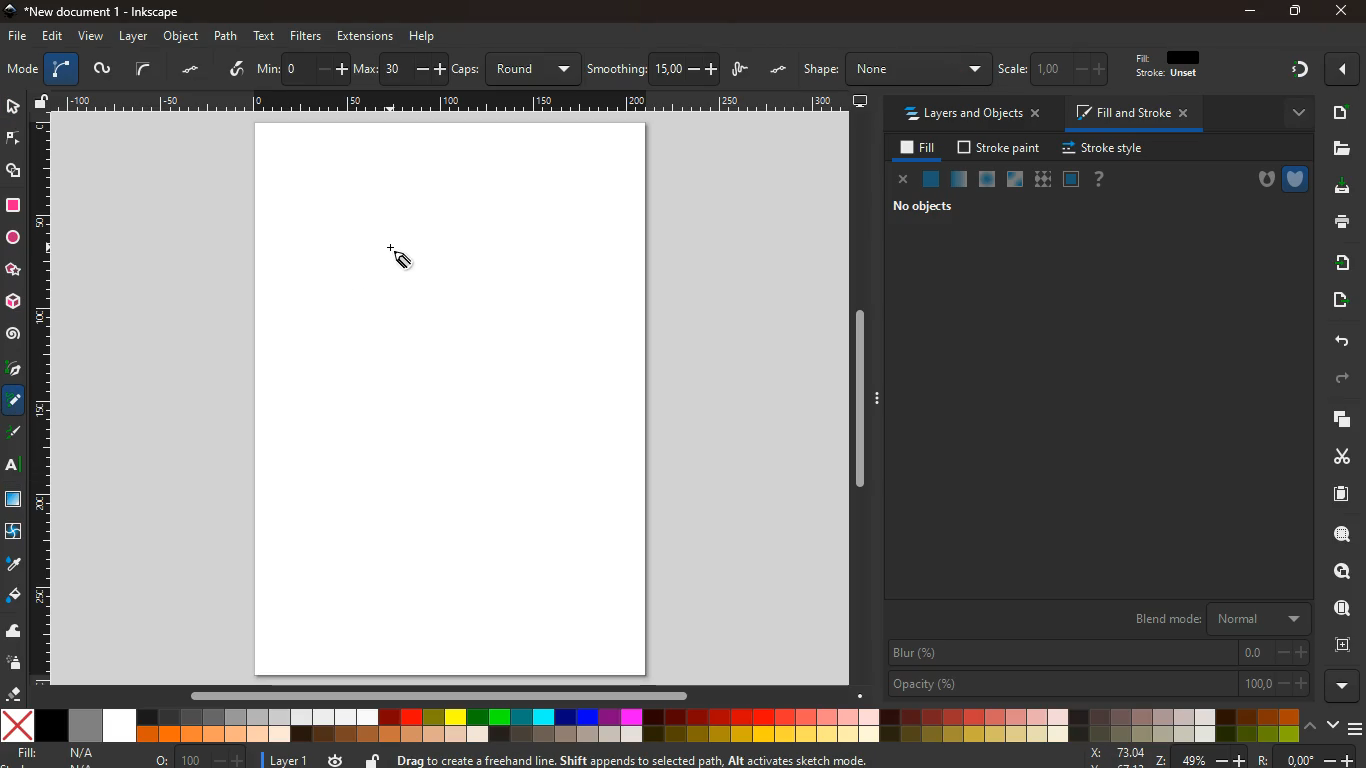 Image resolution: width=1366 pixels, height=768 pixels. Describe the element at coordinates (13, 565) in the screenshot. I see `drop` at that location.